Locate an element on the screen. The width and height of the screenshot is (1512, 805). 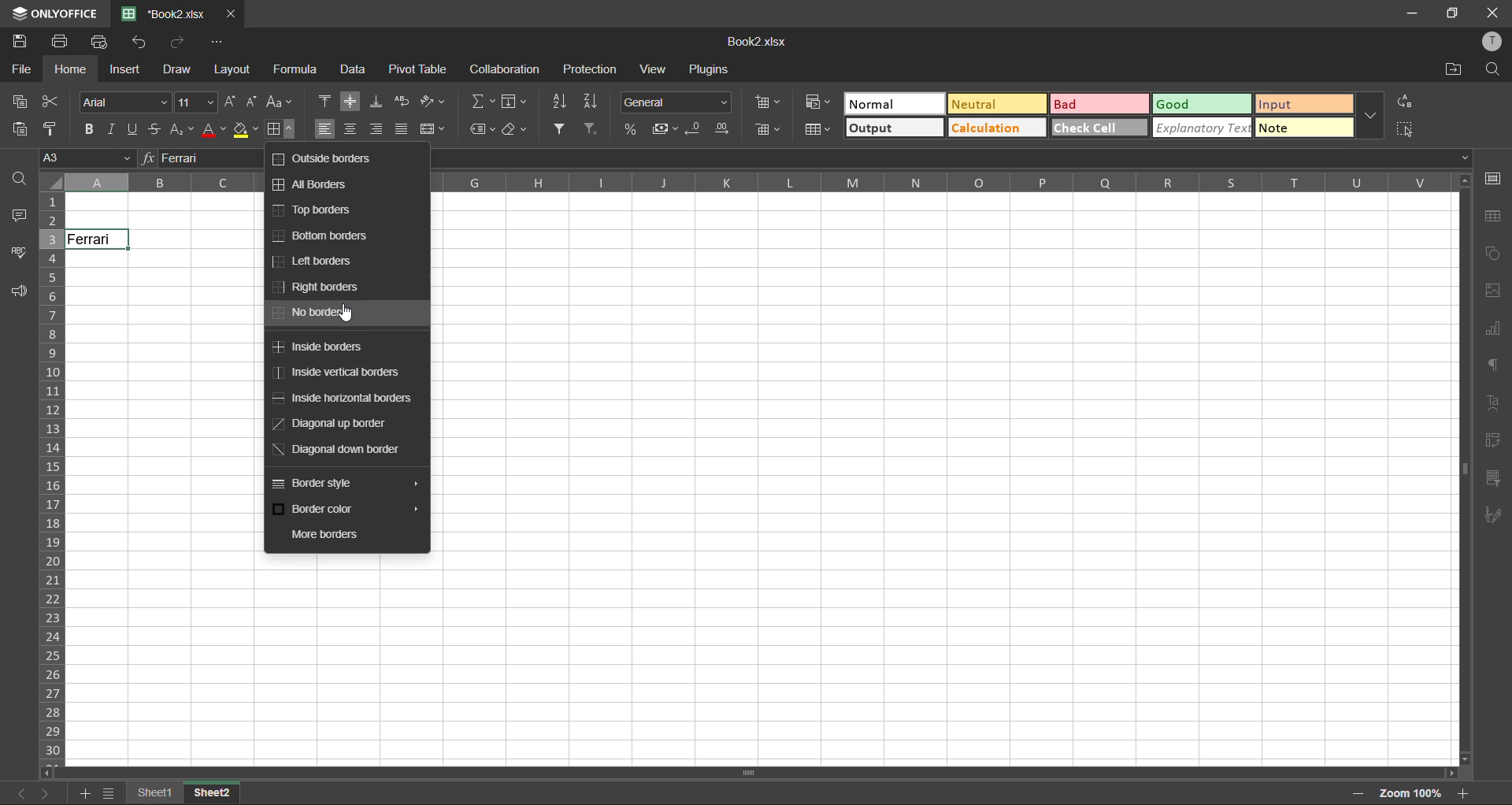
view is located at coordinates (657, 69).